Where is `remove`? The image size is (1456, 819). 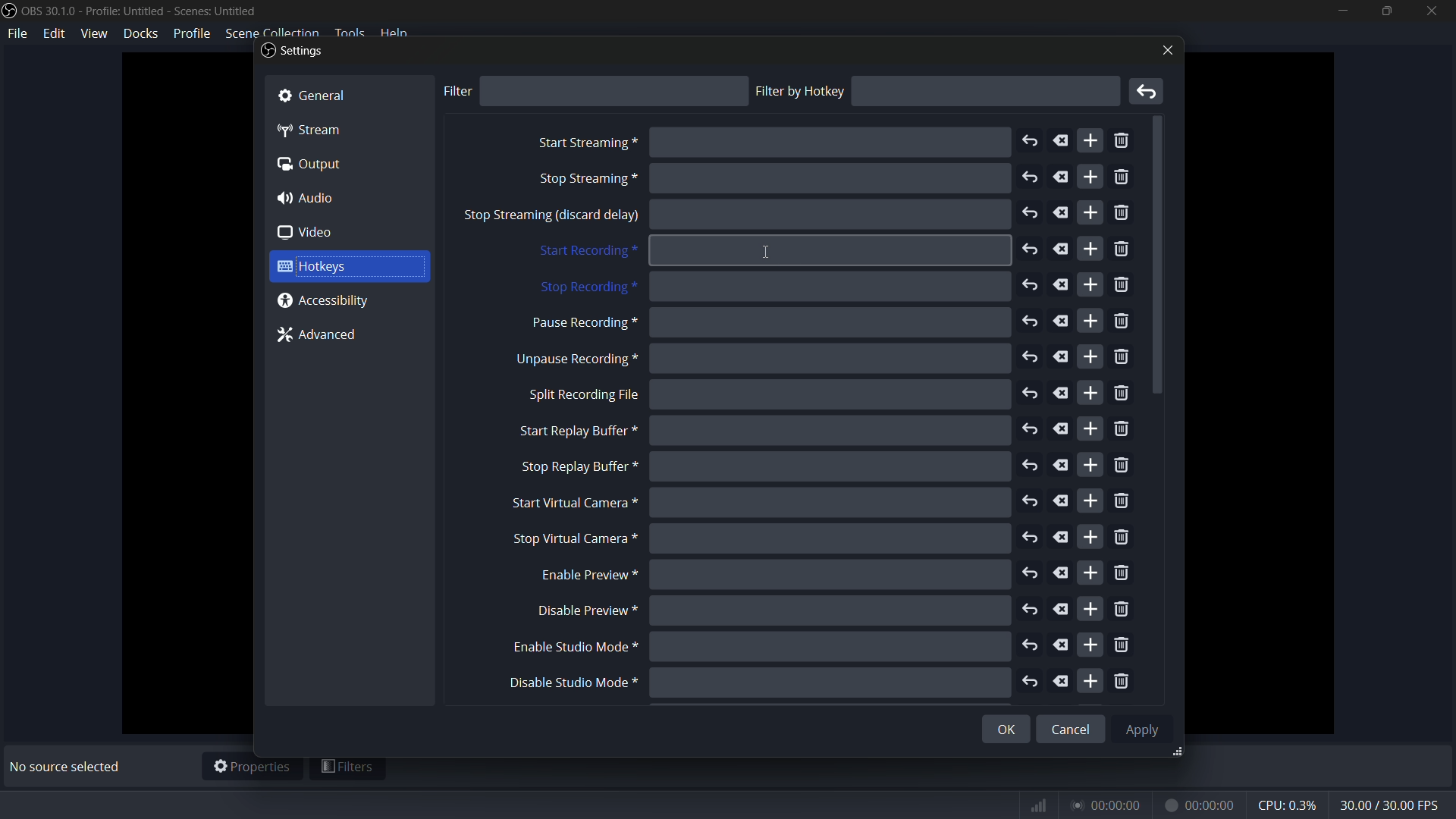 remove is located at coordinates (1122, 646).